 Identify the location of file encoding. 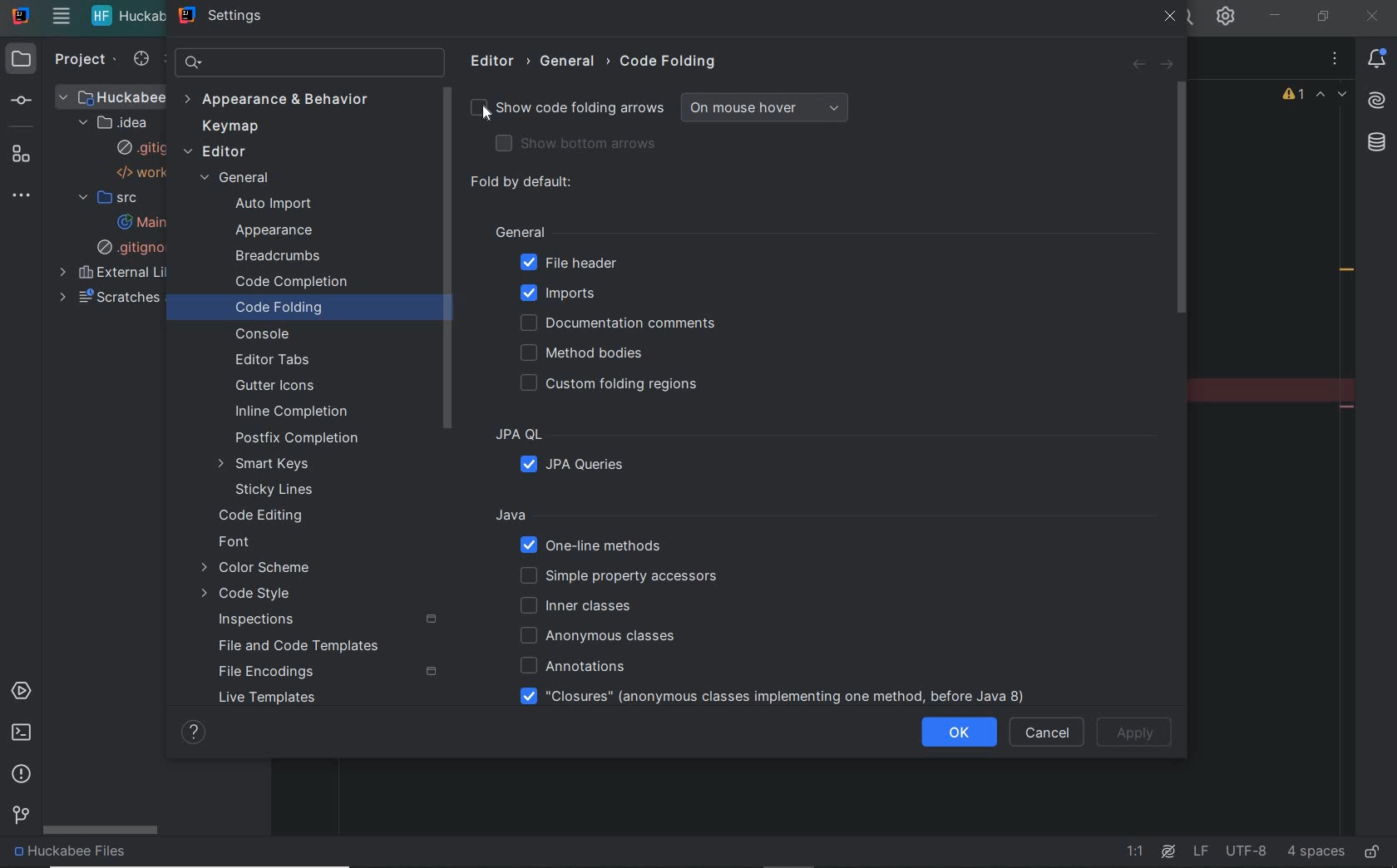
(1246, 851).